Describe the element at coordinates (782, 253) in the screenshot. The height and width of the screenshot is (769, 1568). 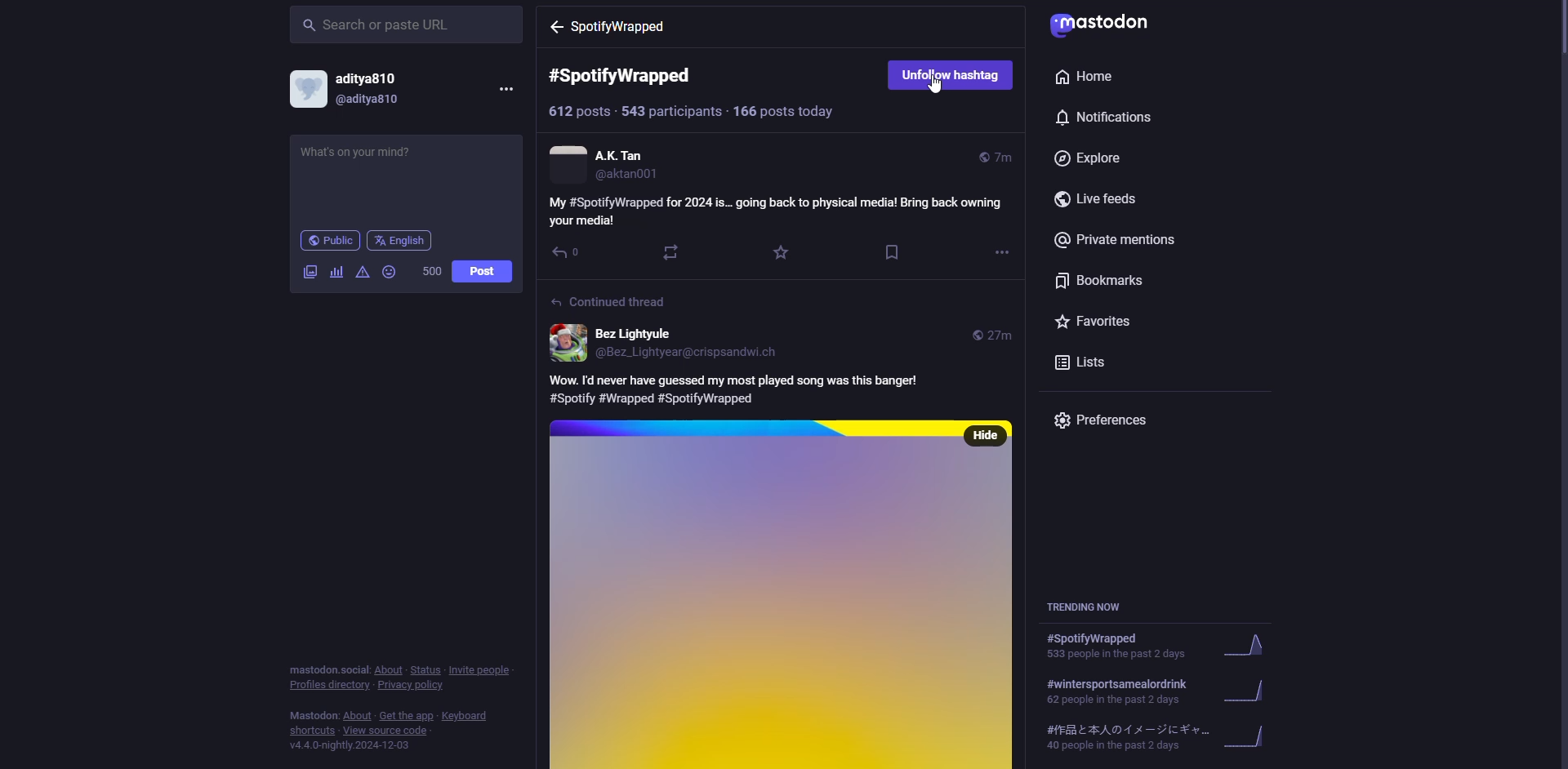
I see `favorite` at that location.